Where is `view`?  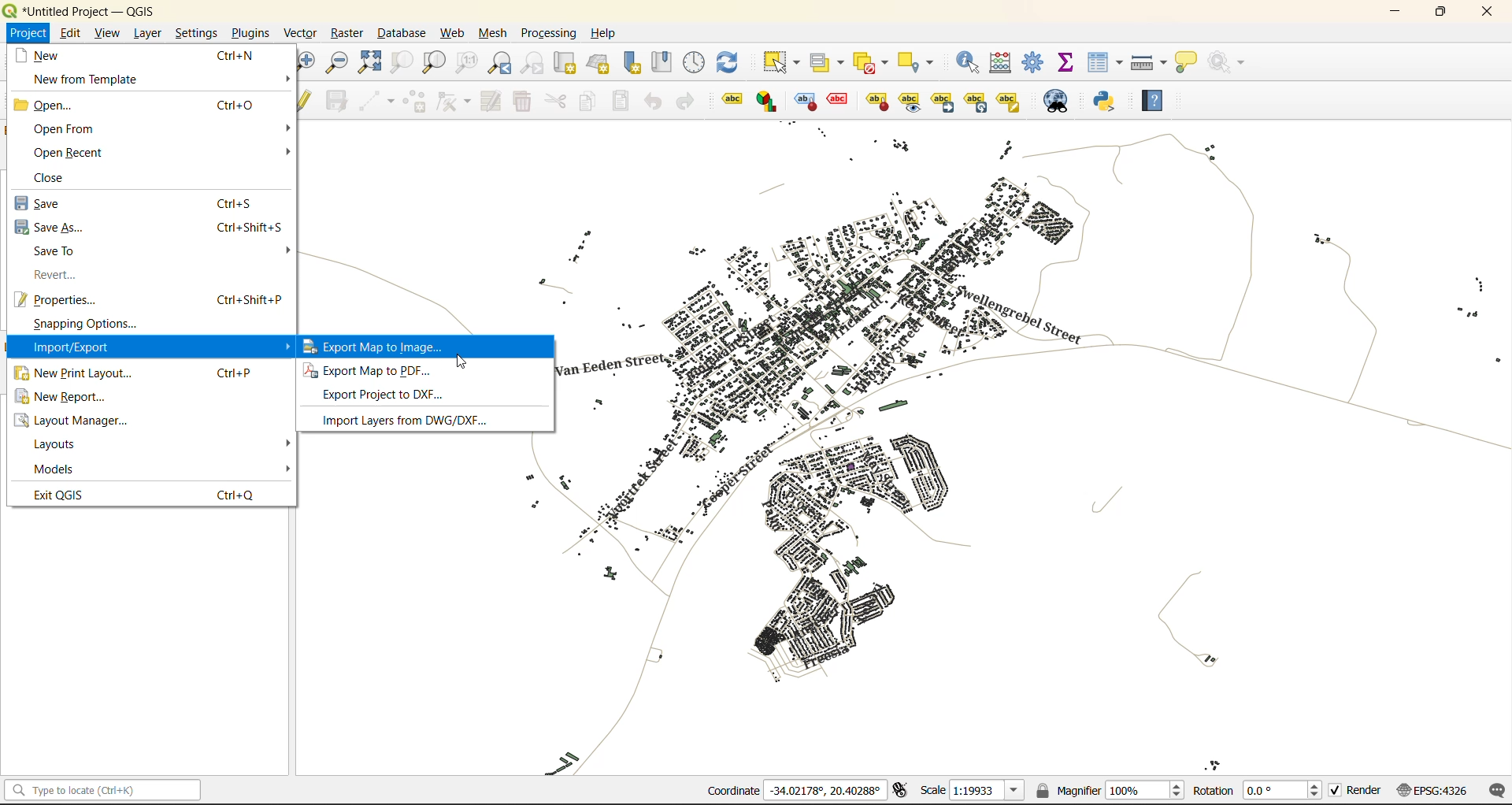
view is located at coordinates (104, 32).